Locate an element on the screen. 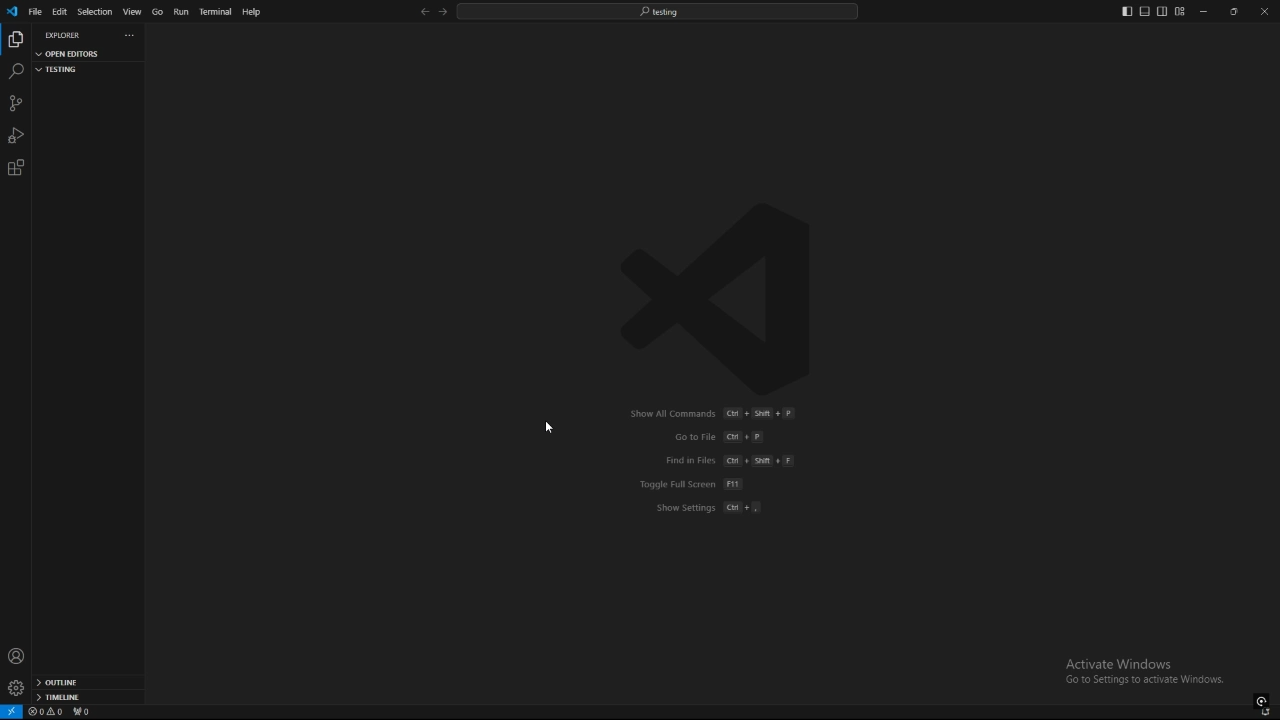 The width and height of the screenshot is (1280, 720). view is located at coordinates (132, 12).